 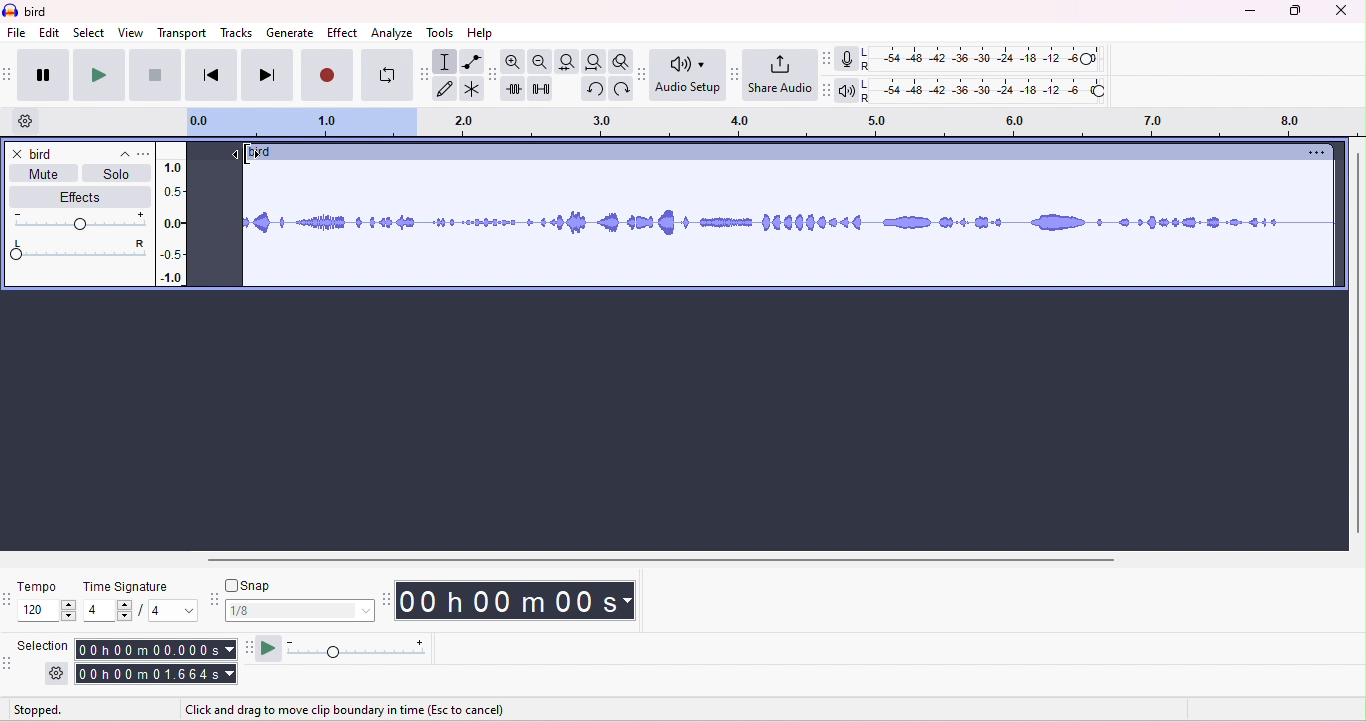 I want to click on time, so click(x=523, y=600).